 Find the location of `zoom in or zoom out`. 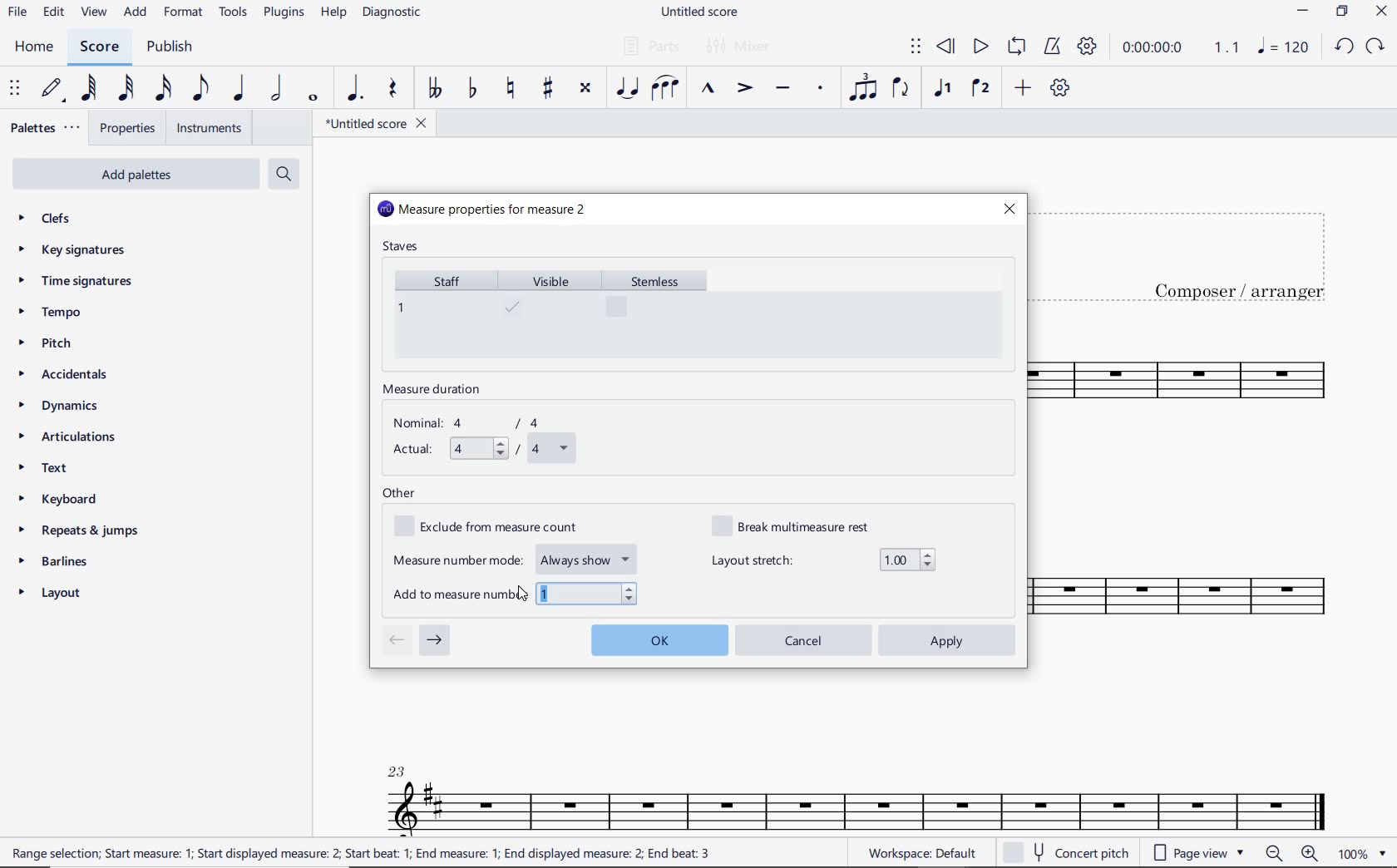

zoom in or zoom out is located at coordinates (1294, 855).